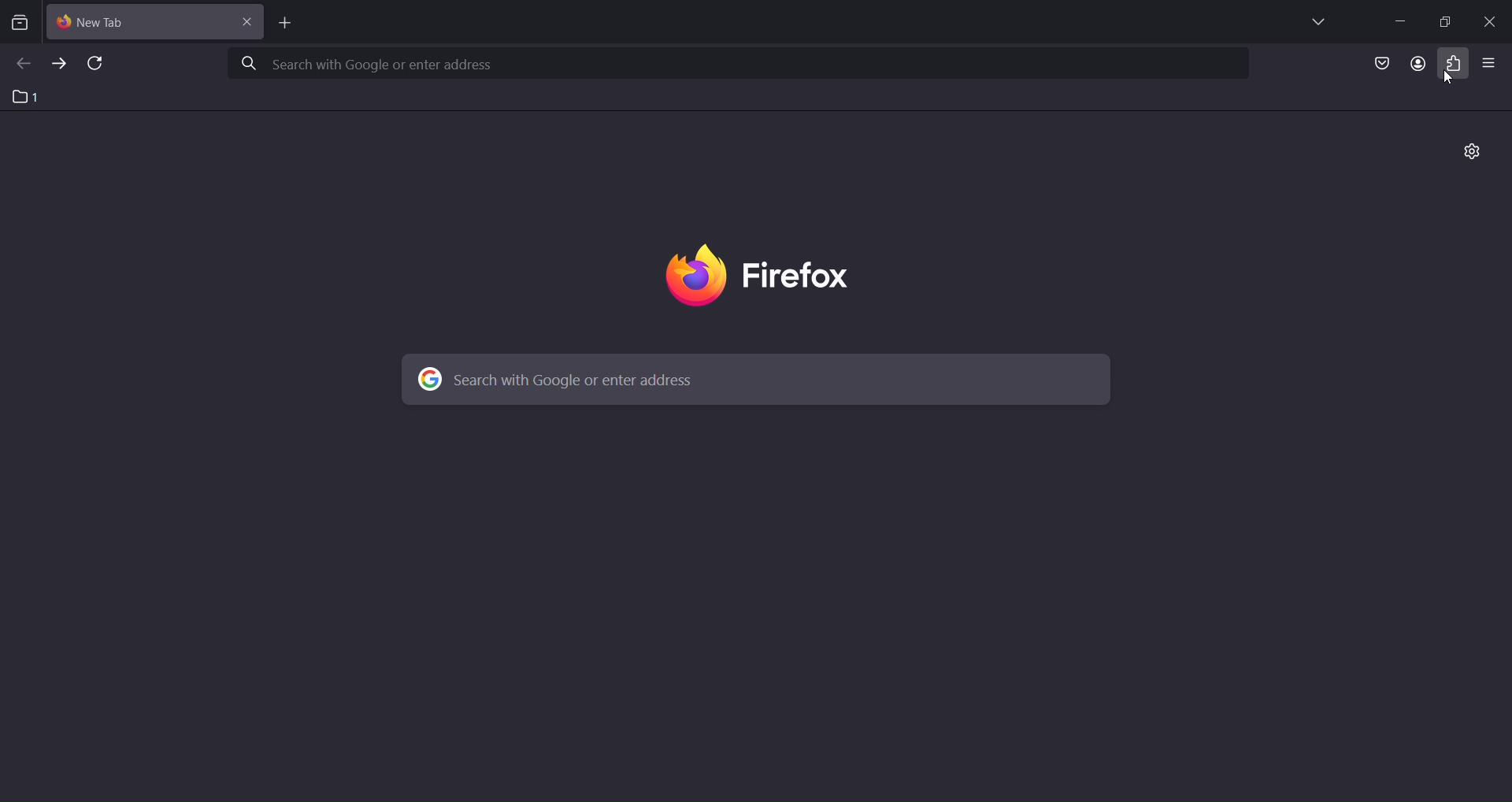 Image resolution: width=1512 pixels, height=802 pixels. What do you see at coordinates (25, 97) in the screenshot?
I see `1` at bounding box center [25, 97].